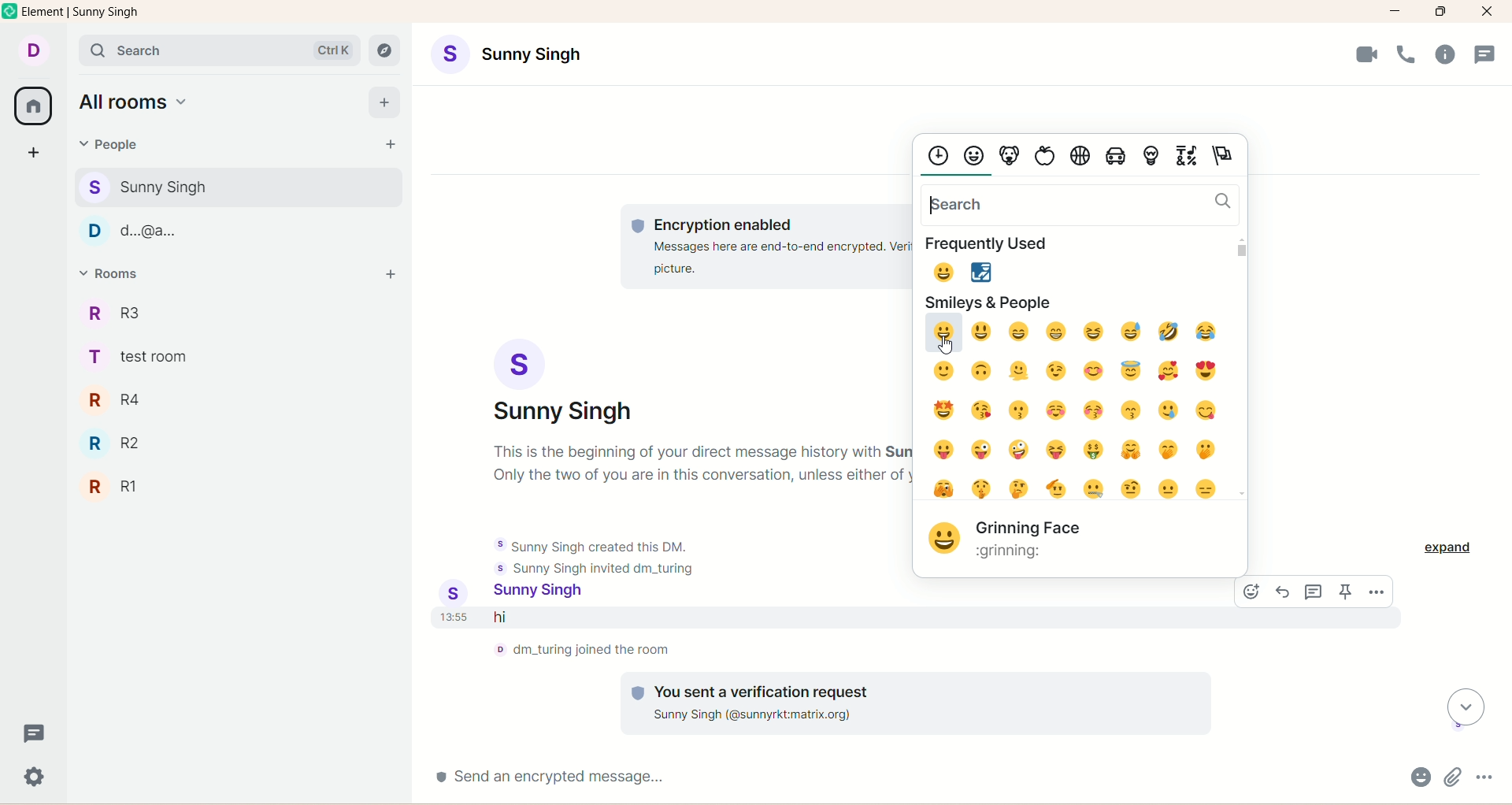 The height and width of the screenshot is (805, 1512). What do you see at coordinates (122, 443) in the screenshot?
I see `R2` at bounding box center [122, 443].